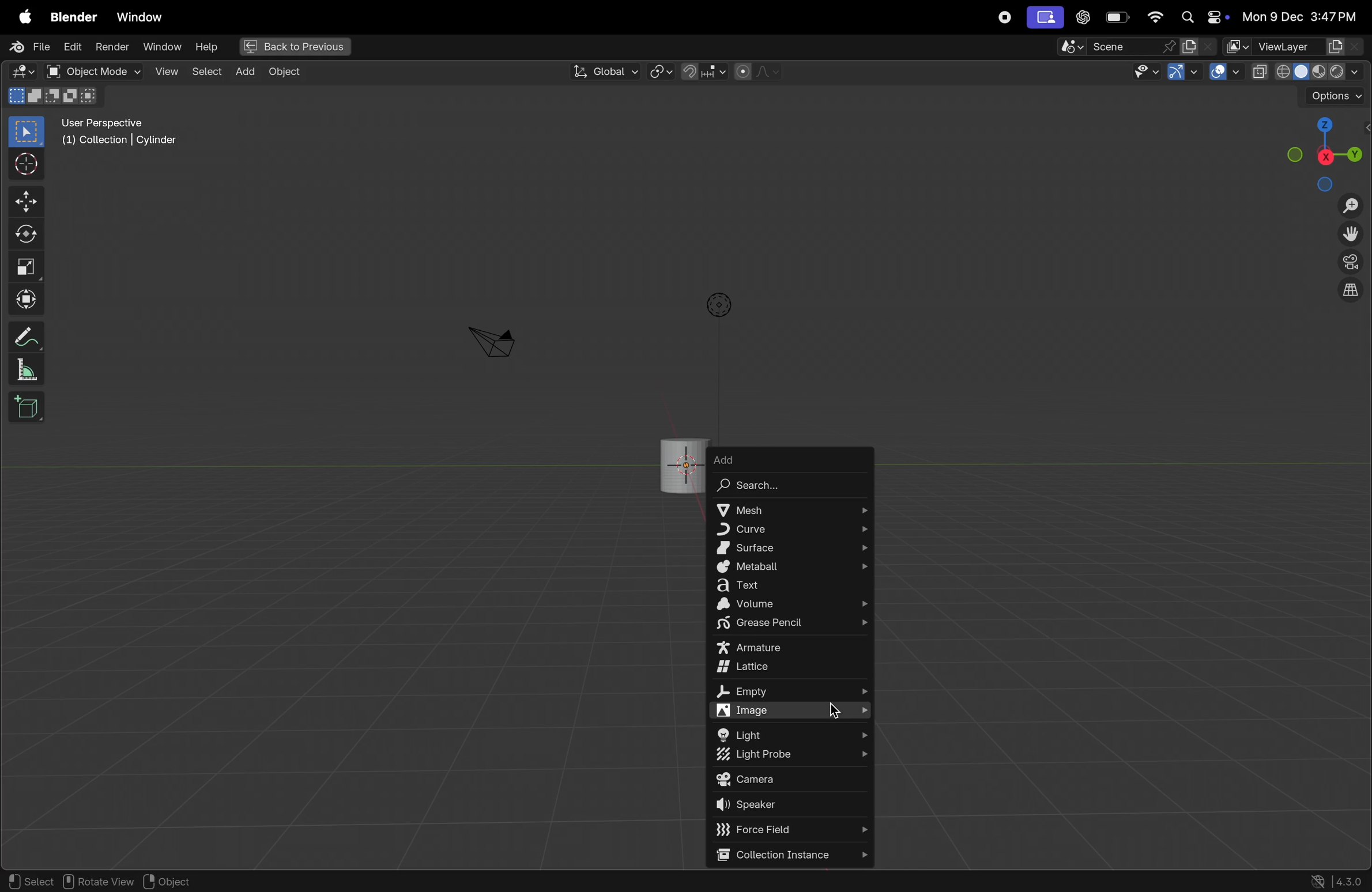  What do you see at coordinates (1299, 17) in the screenshot?
I see `date and time` at bounding box center [1299, 17].